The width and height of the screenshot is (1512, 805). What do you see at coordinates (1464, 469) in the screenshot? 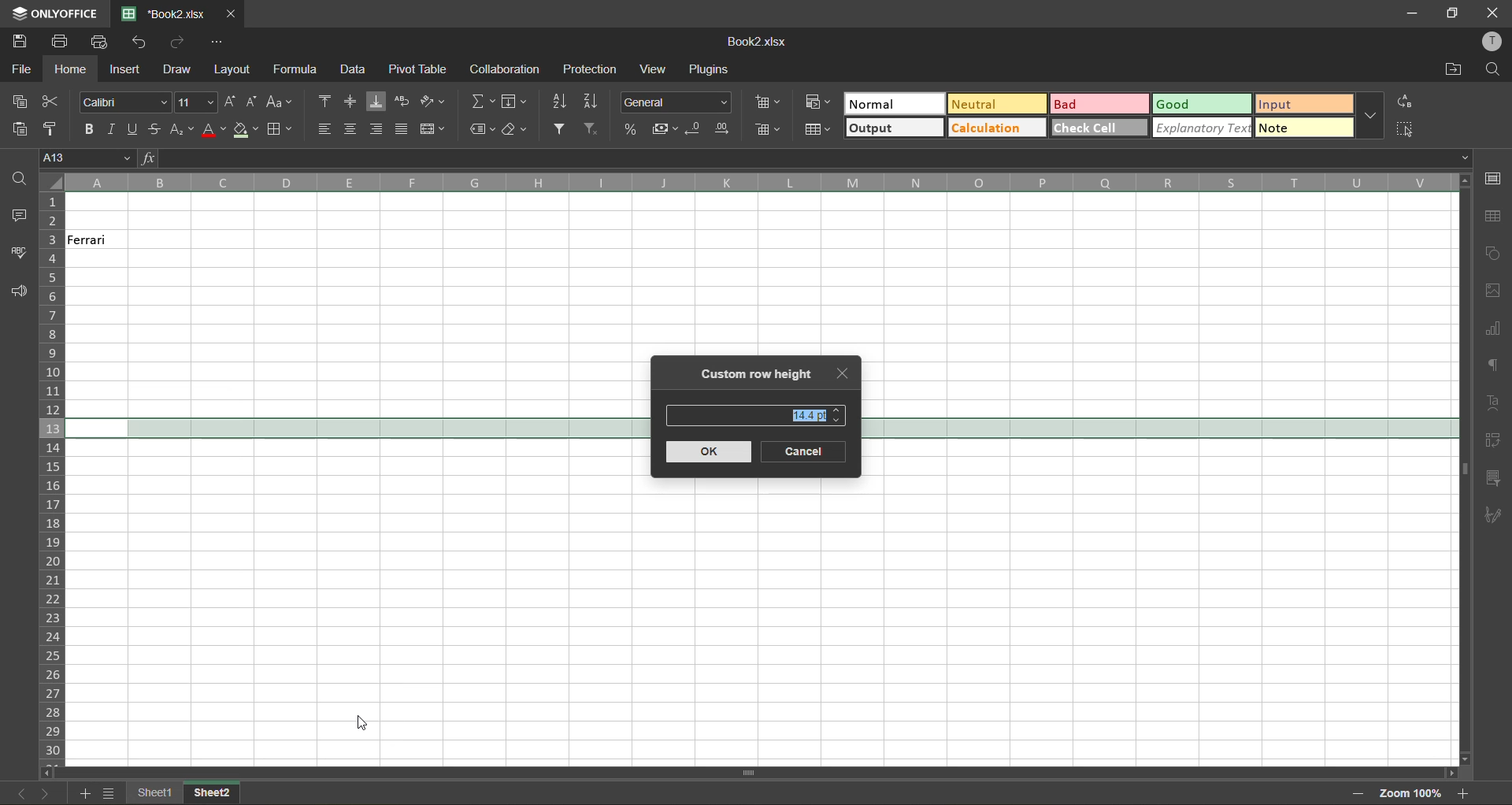
I see `scrollbar` at bounding box center [1464, 469].